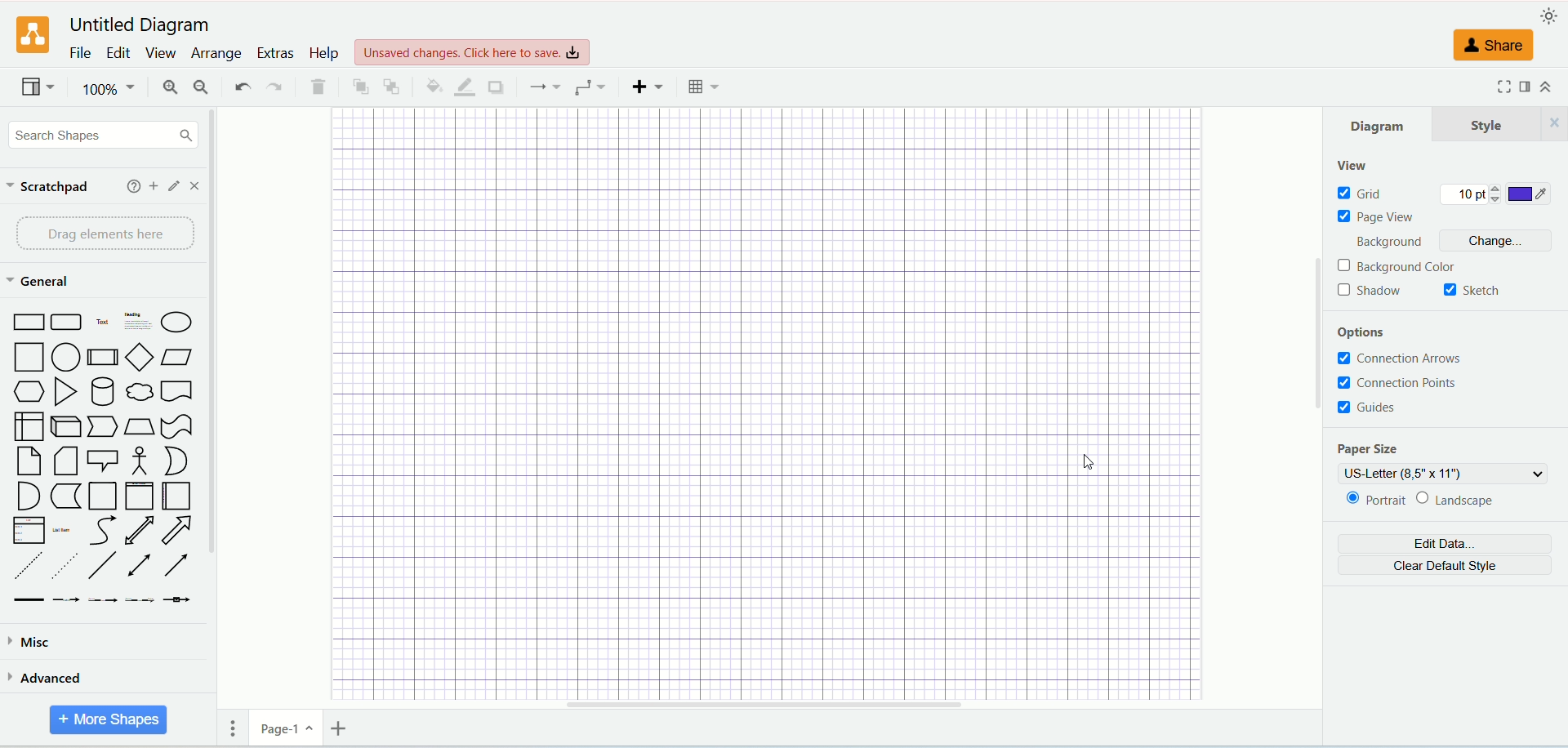  Describe the element at coordinates (176, 428) in the screenshot. I see `Tape` at that location.